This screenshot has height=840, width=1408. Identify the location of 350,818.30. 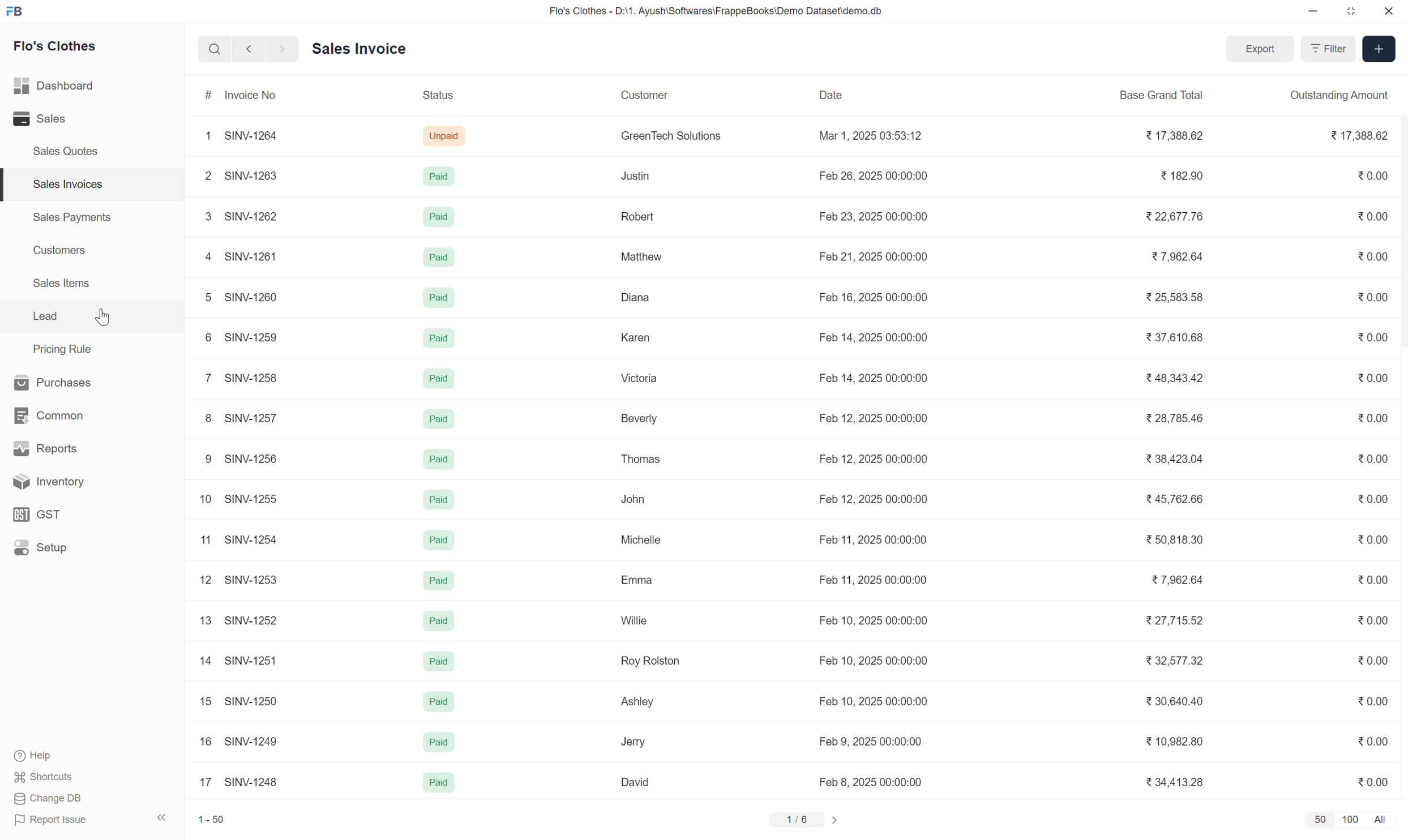
(1177, 541).